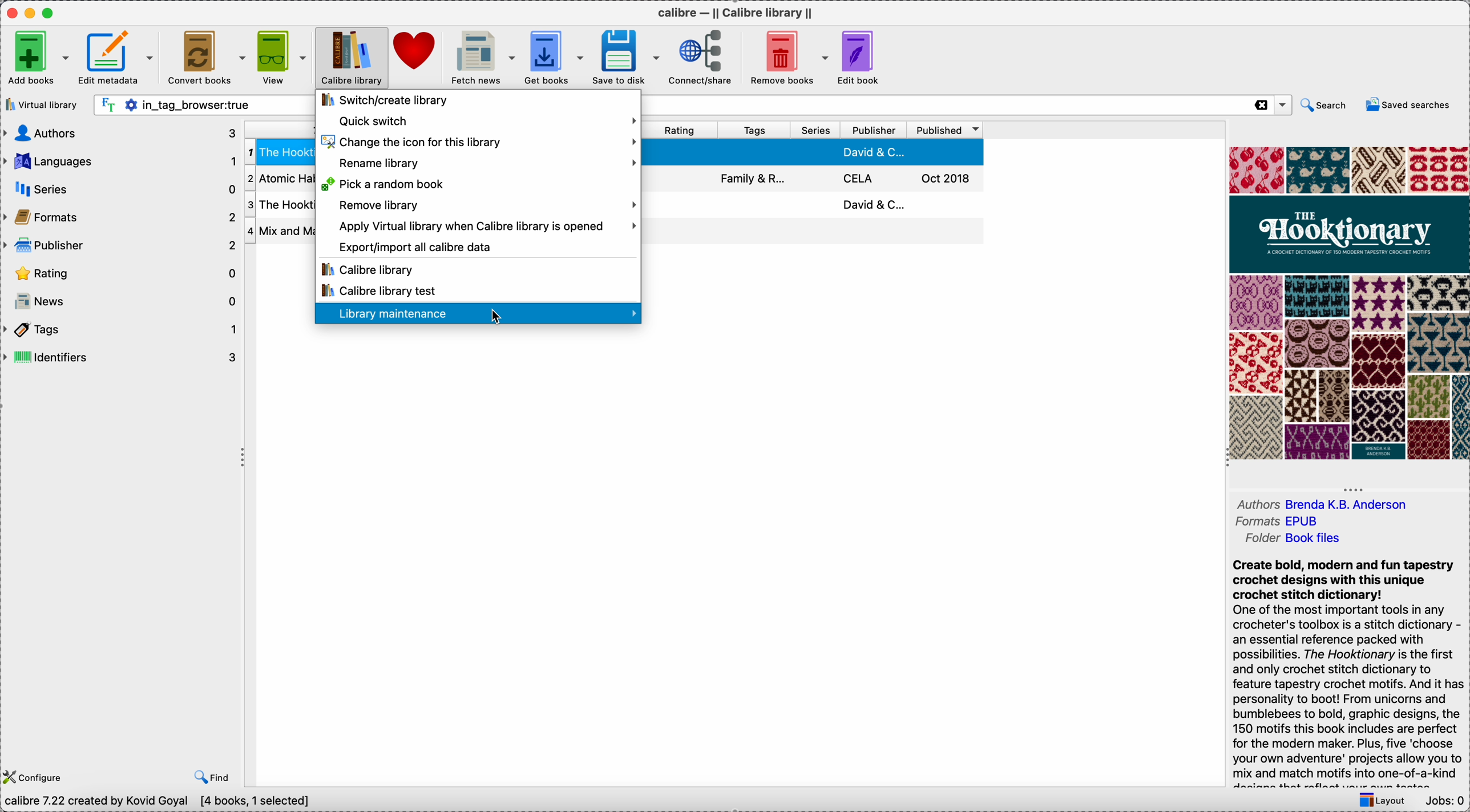 This screenshot has width=1470, height=812. Describe the element at coordinates (1348, 304) in the screenshot. I see `book cover preview` at that location.